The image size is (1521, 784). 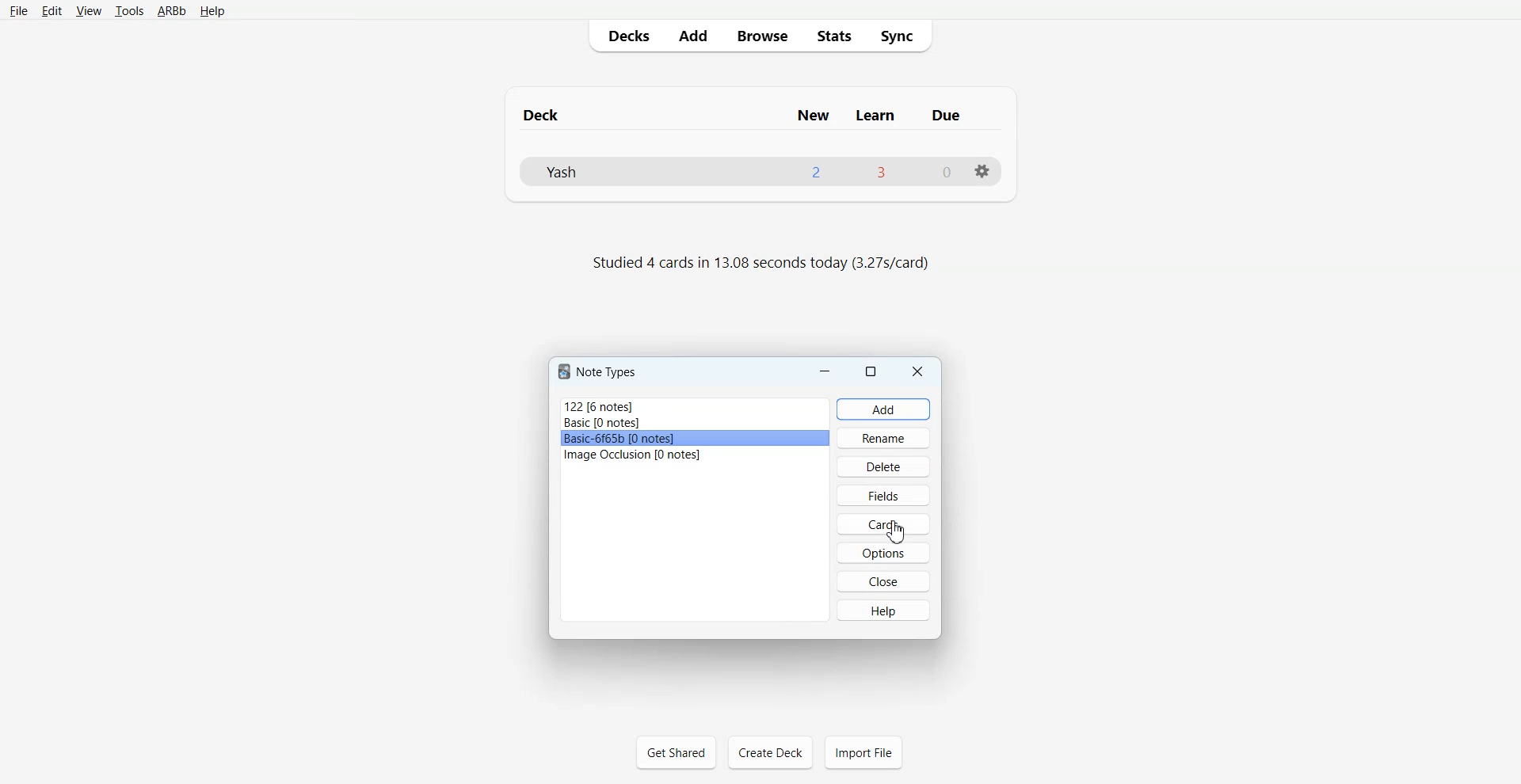 What do you see at coordinates (760, 36) in the screenshot?
I see `Browse` at bounding box center [760, 36].